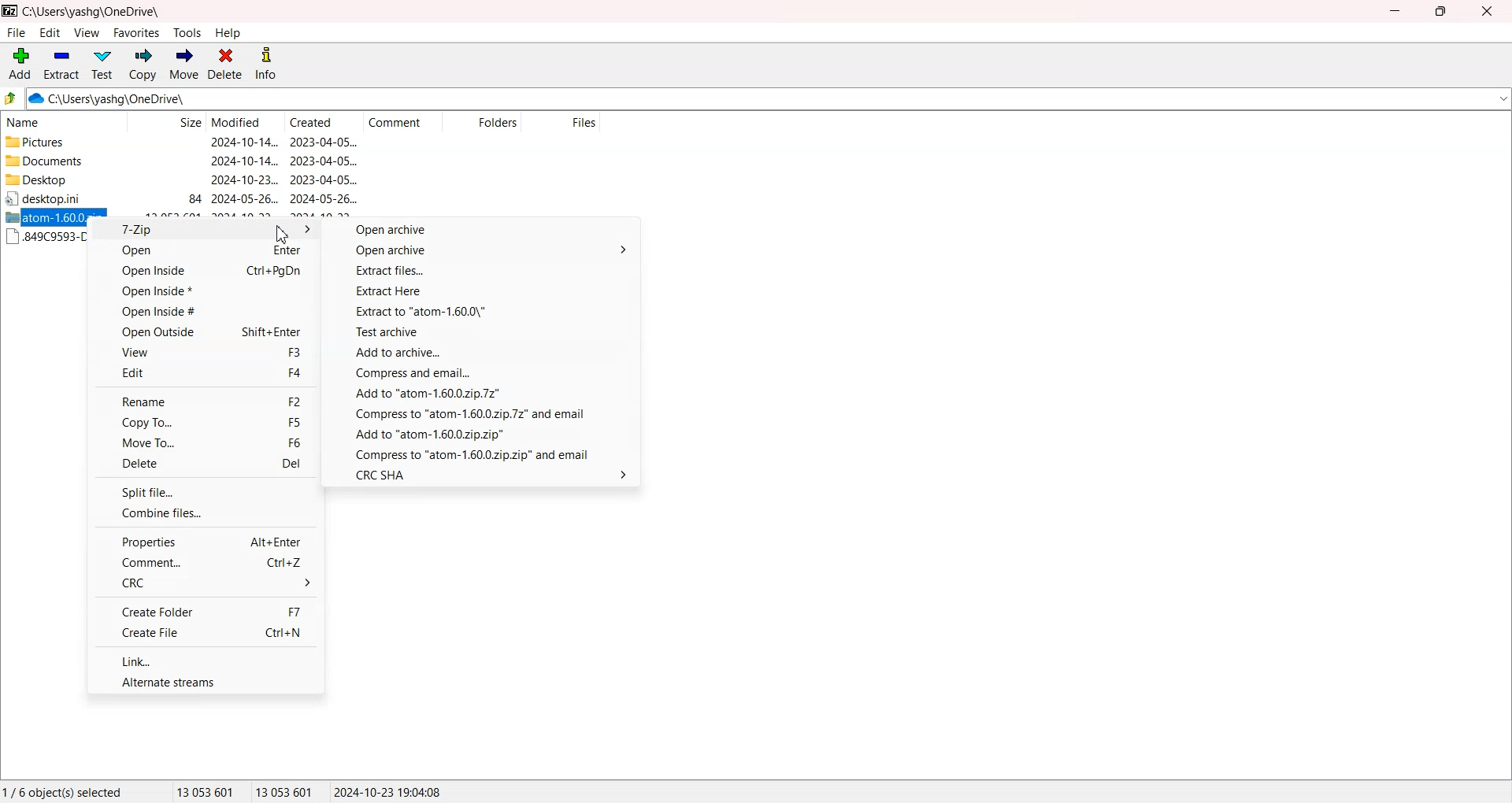 This screenshot has height=803, width=1512. Describe the element at coordinates (205, 352) in the screenshot. I see `View` at that location.